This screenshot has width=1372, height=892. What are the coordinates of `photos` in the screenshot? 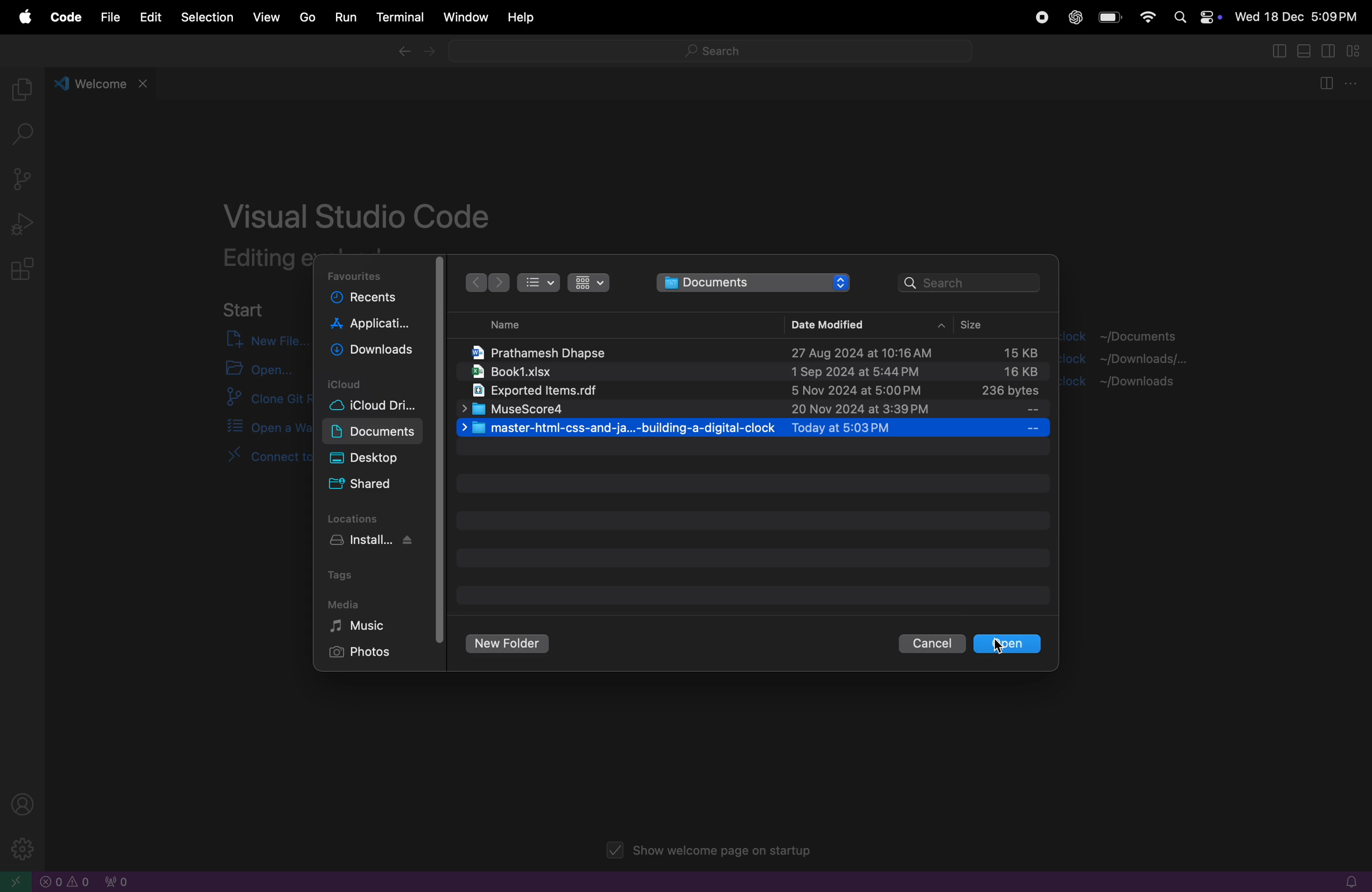 It's located at (367, 653).